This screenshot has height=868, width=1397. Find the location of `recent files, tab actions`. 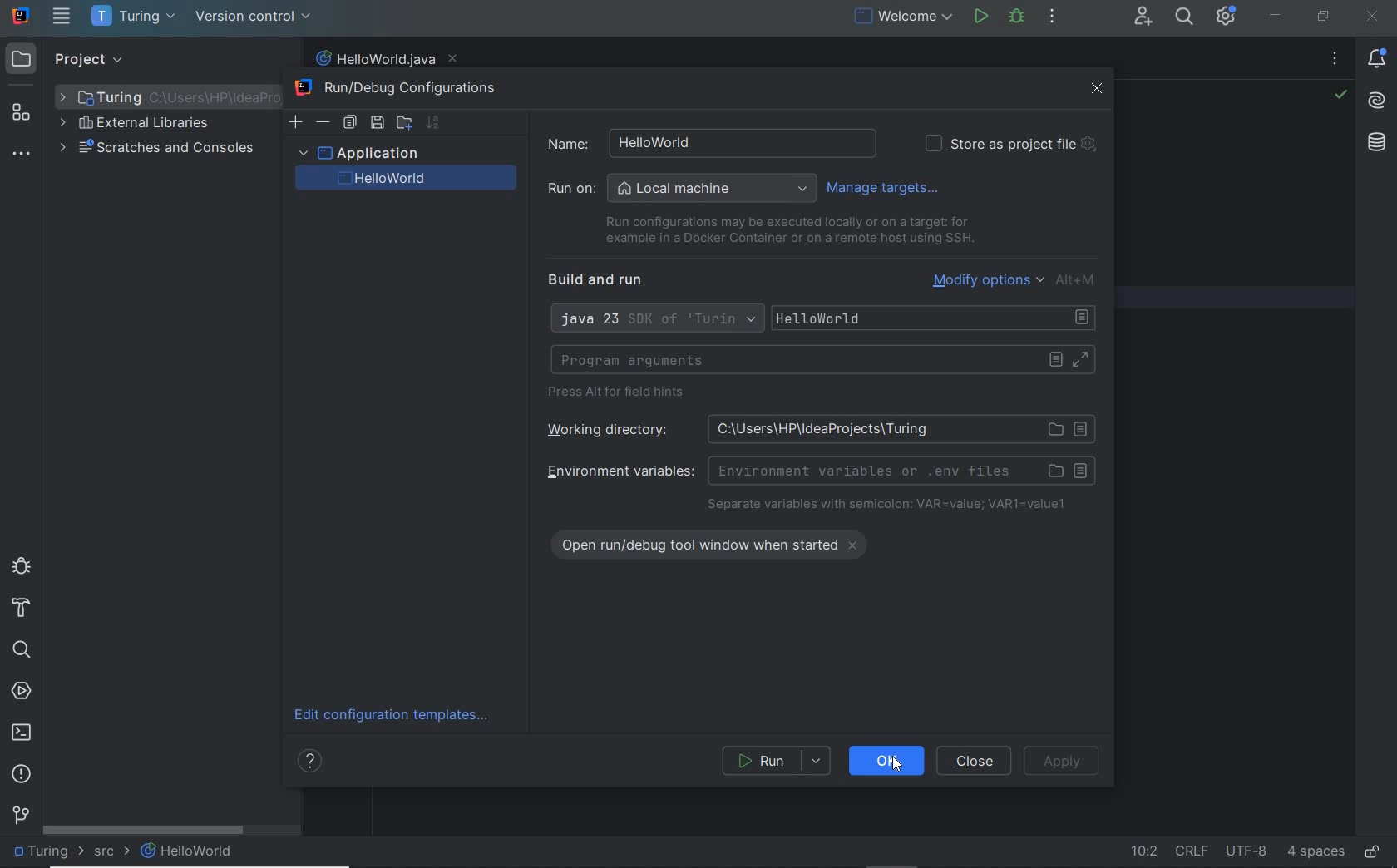

recent files, tab actions is located at coordinates (1335, 62).